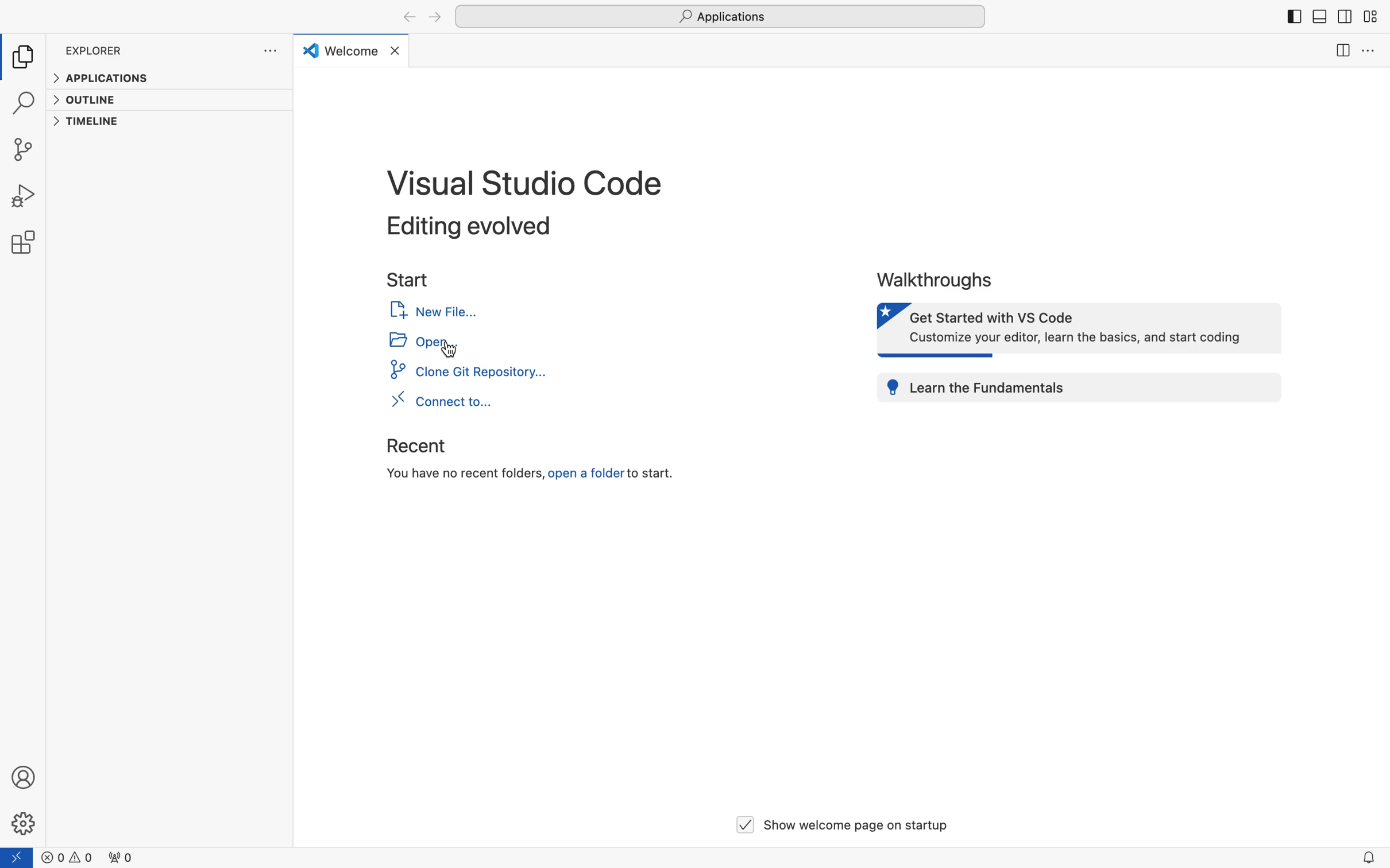  What do you see at coordinates (24, 105) in the screenshot?
I see `search` at bounding box center [24, 105].